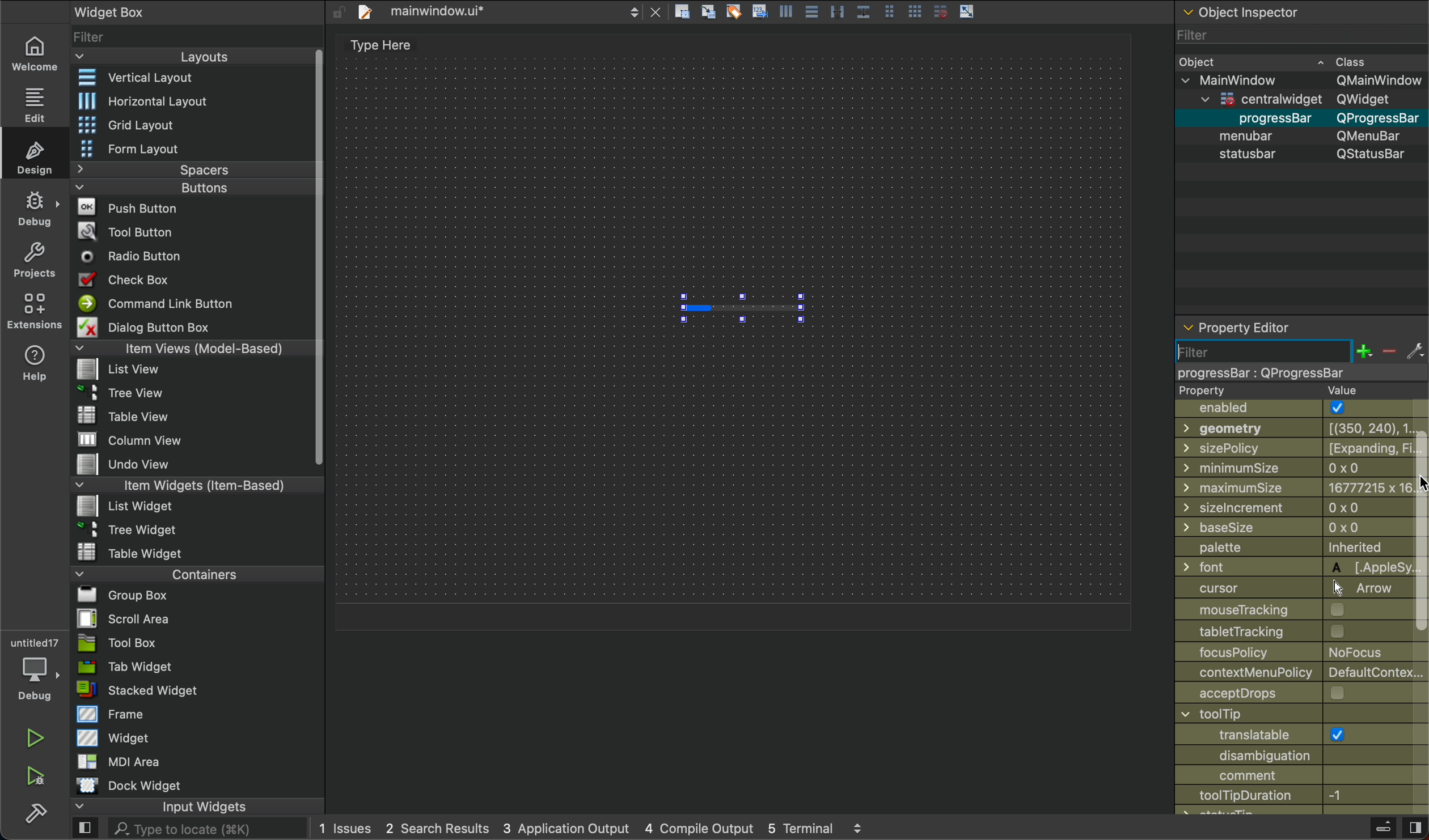  I want to click on Item Widgets, so click(179, 484).